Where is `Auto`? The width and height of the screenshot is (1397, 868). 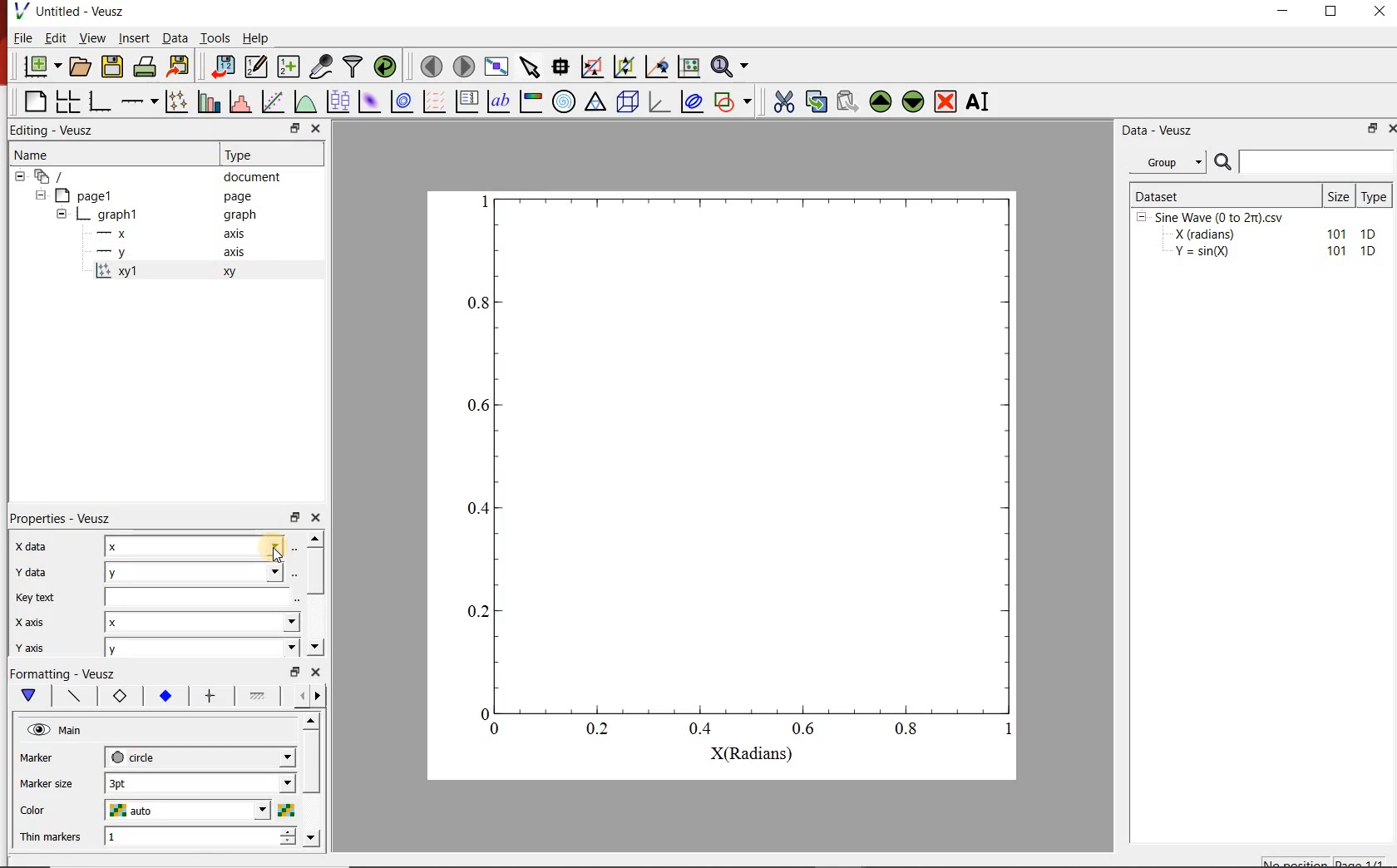
Auto is located at coordinates (200, 571).